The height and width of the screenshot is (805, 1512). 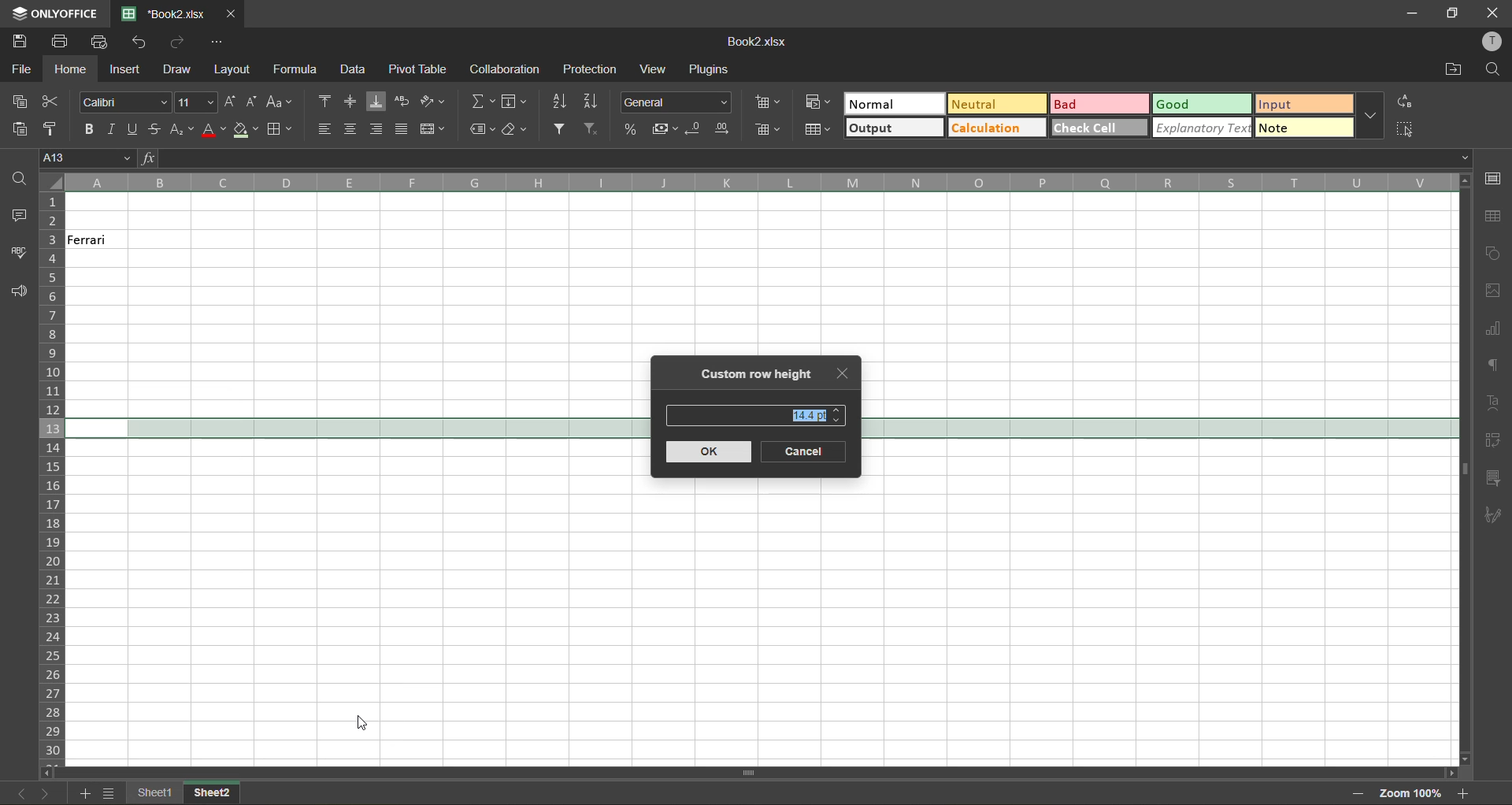 I want to click on align right, so click(x=379, y=128).